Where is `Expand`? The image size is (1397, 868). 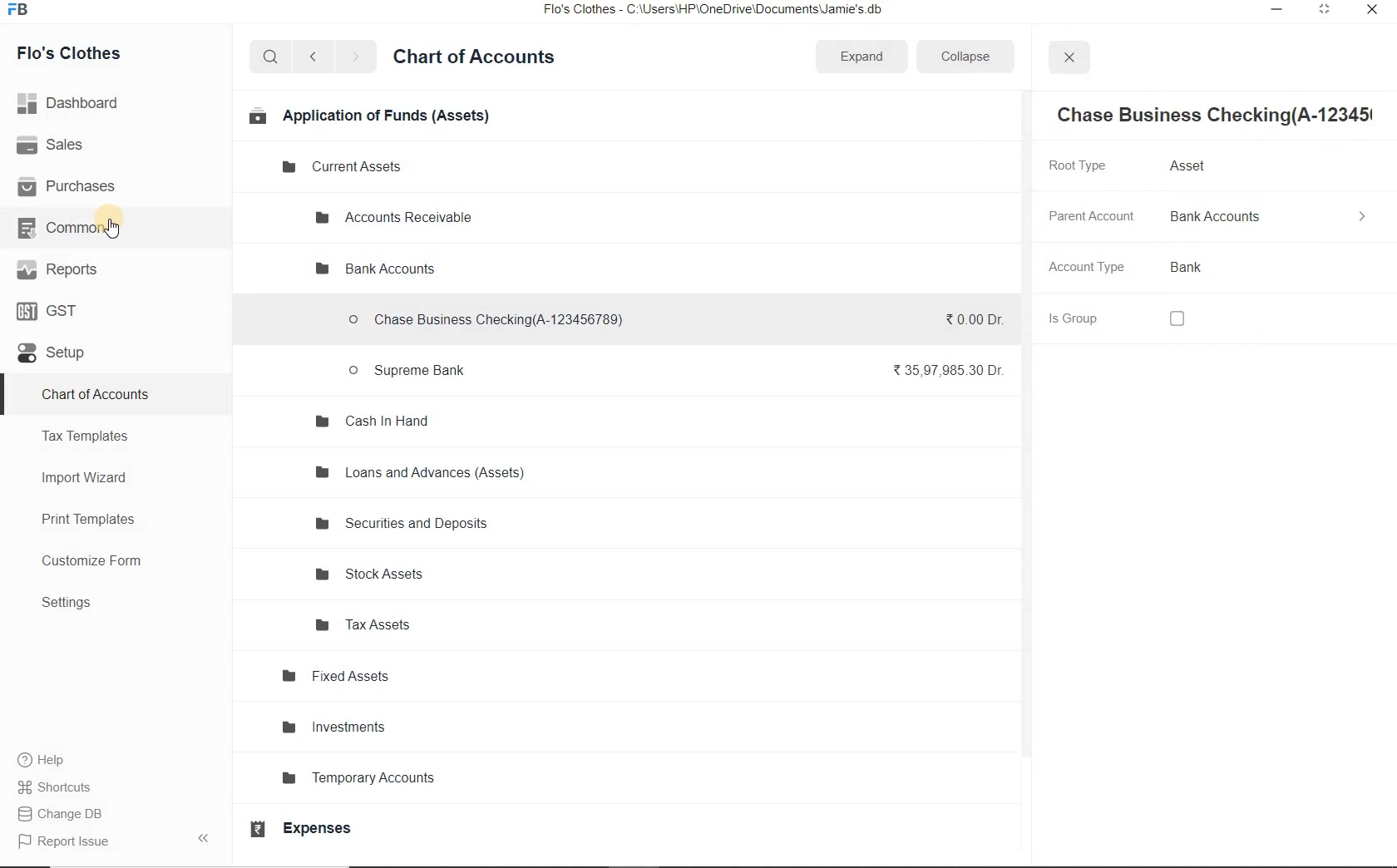
Expand is located at coordinates (860, 55).